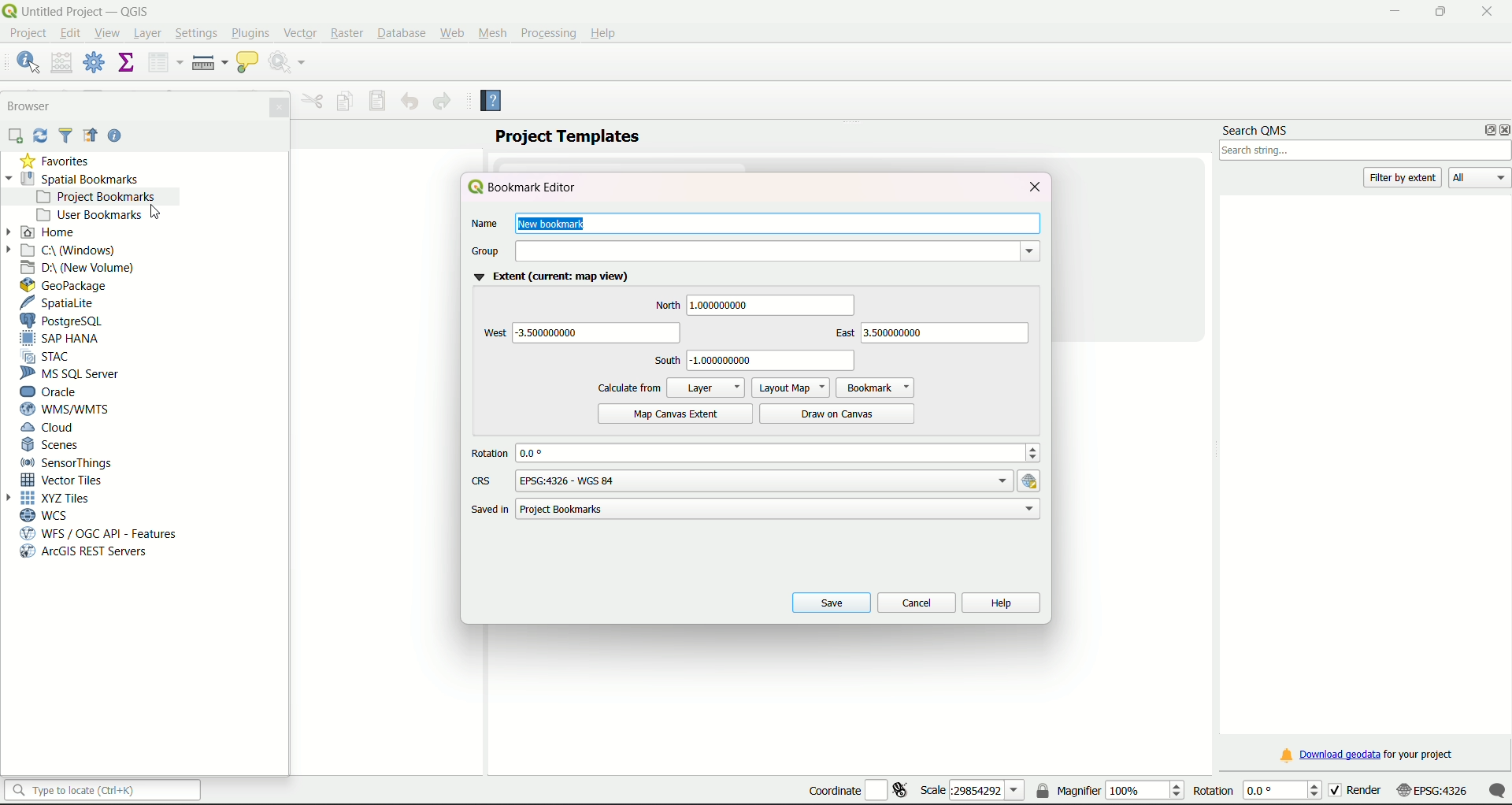 This screenshot has width=1512, height=805. Describe the element at coordinates (70, 410) in the screenshot. I see `WMS/WTMS` at that location.